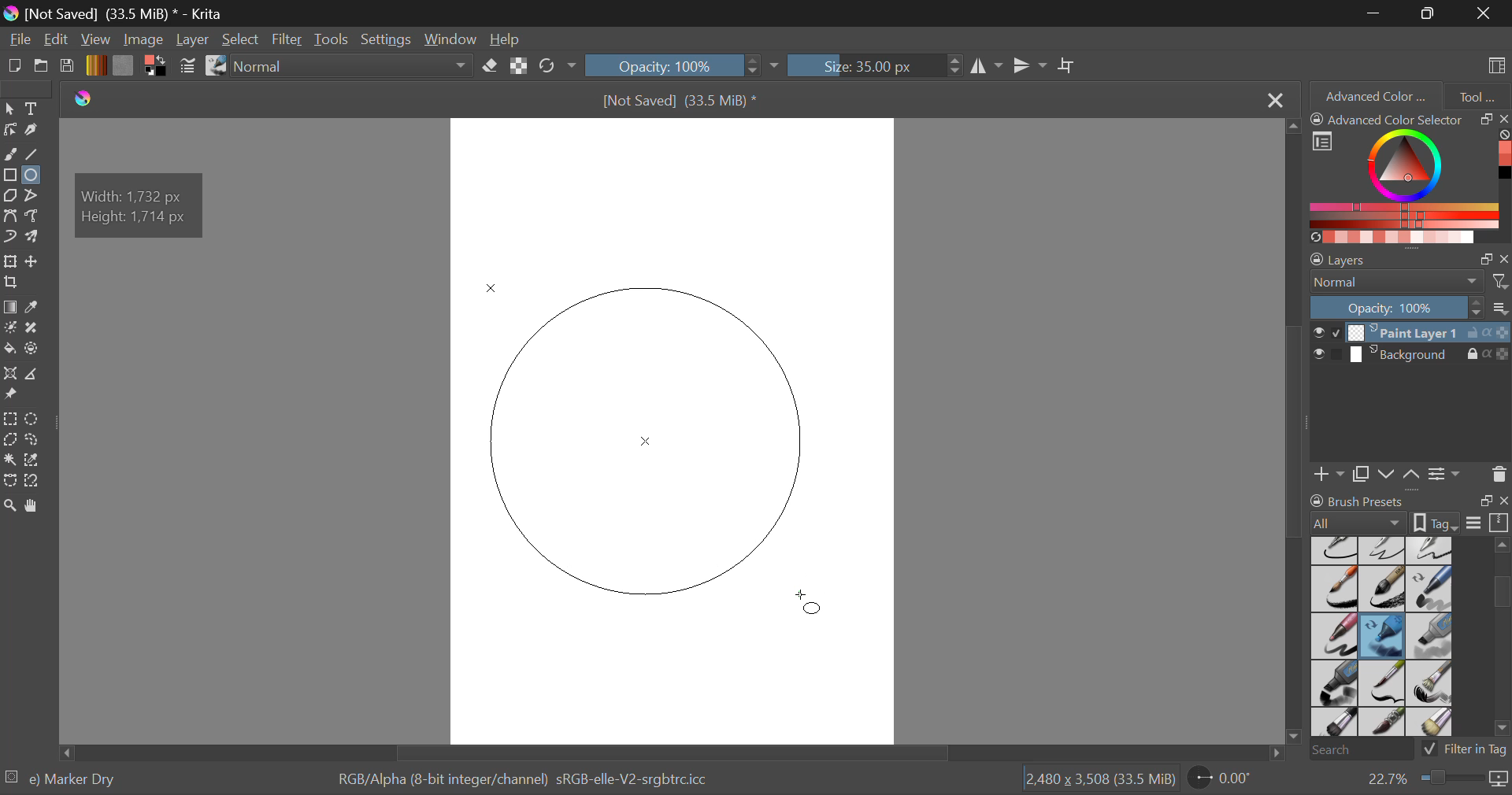 This screenshot has width=1512, height=795. Describe the element at coordinates (35, 505) in the screenshot. I see `Pan Tool` at that location.